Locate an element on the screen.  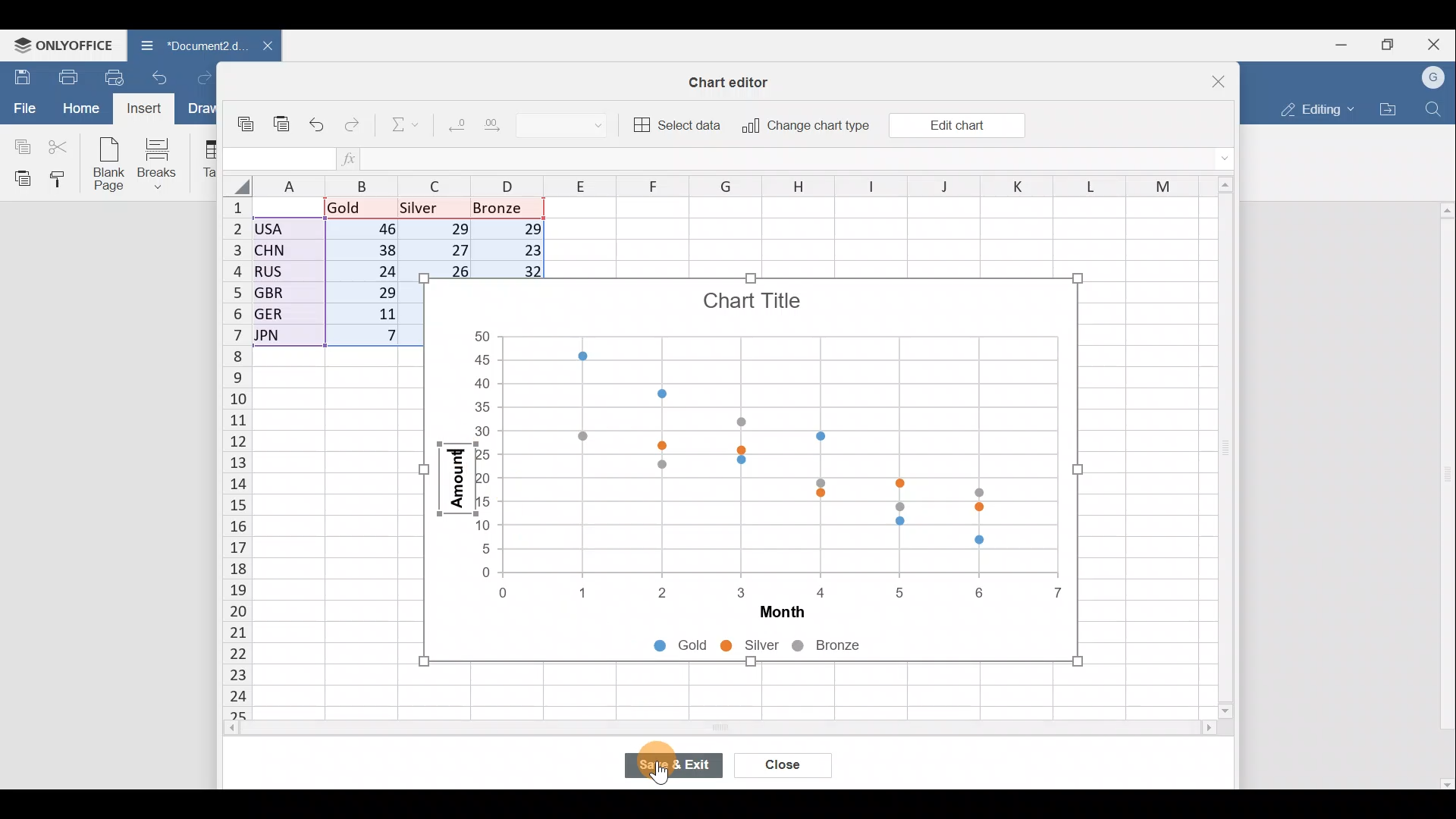
Cursor on Insert is located at coordinates (145, 110).